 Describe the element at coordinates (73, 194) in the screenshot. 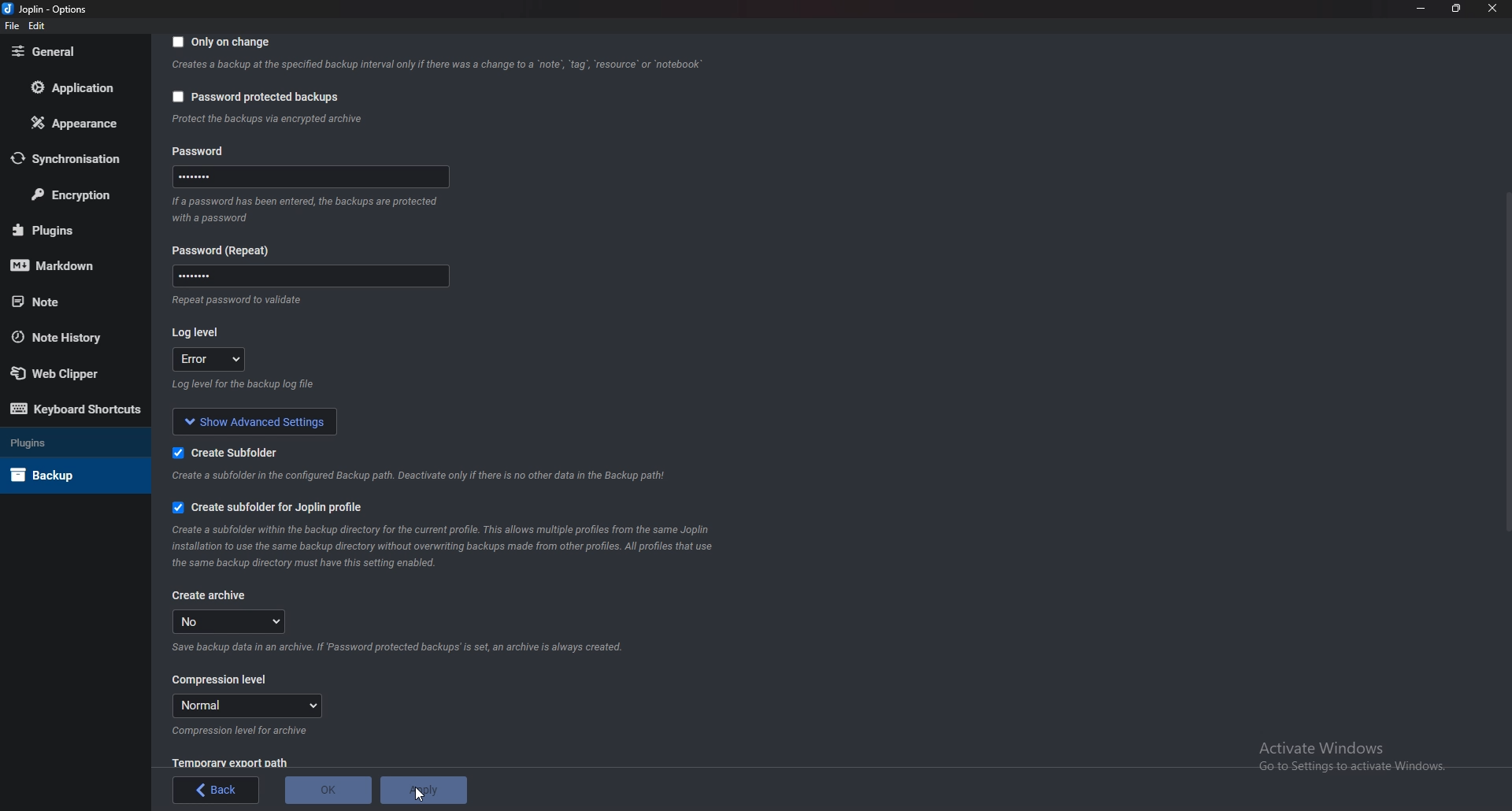

I see `Encryption` at that location.